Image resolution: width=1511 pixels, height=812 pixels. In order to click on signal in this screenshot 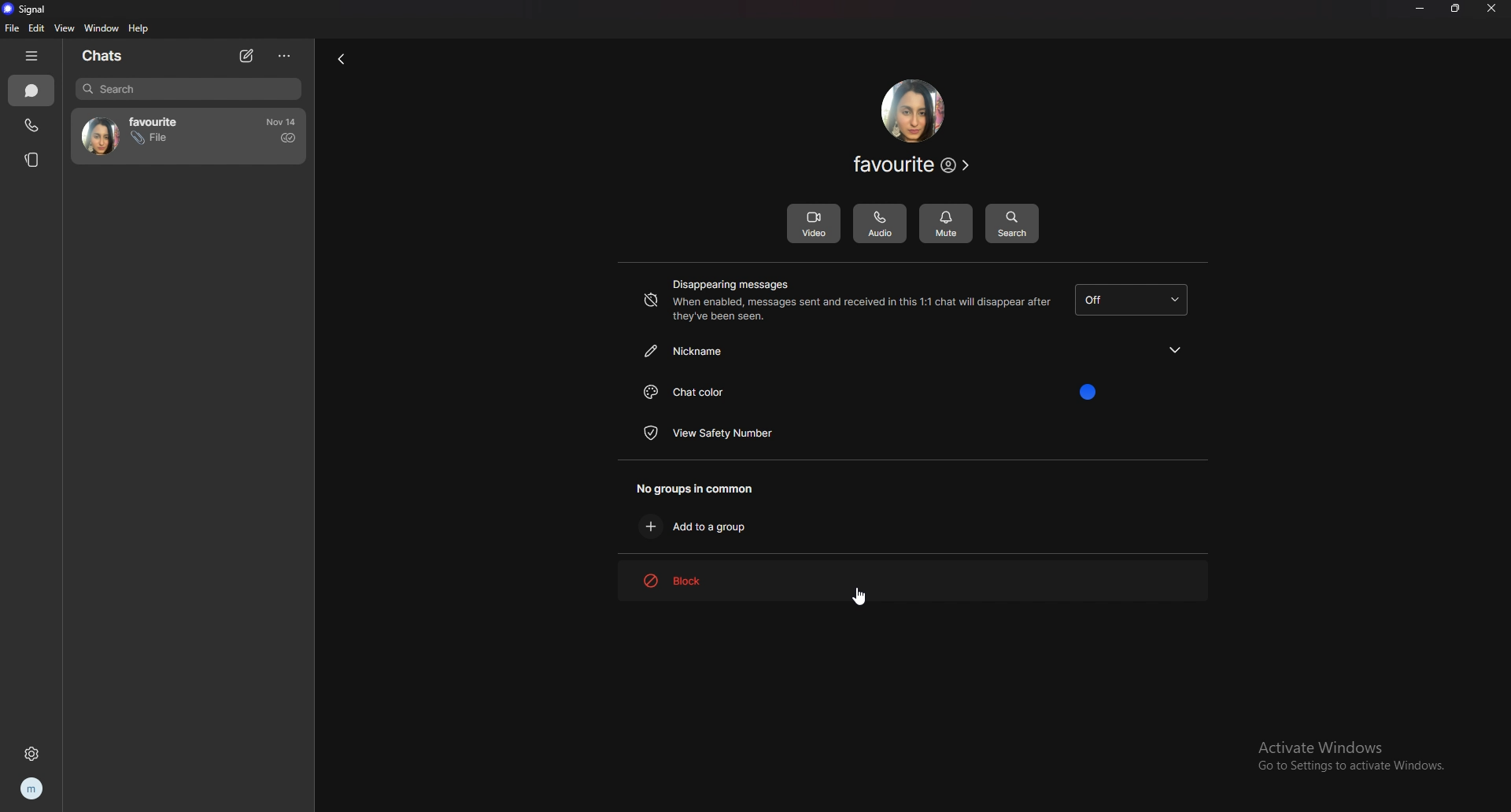, I will do `click(26, 9)`.